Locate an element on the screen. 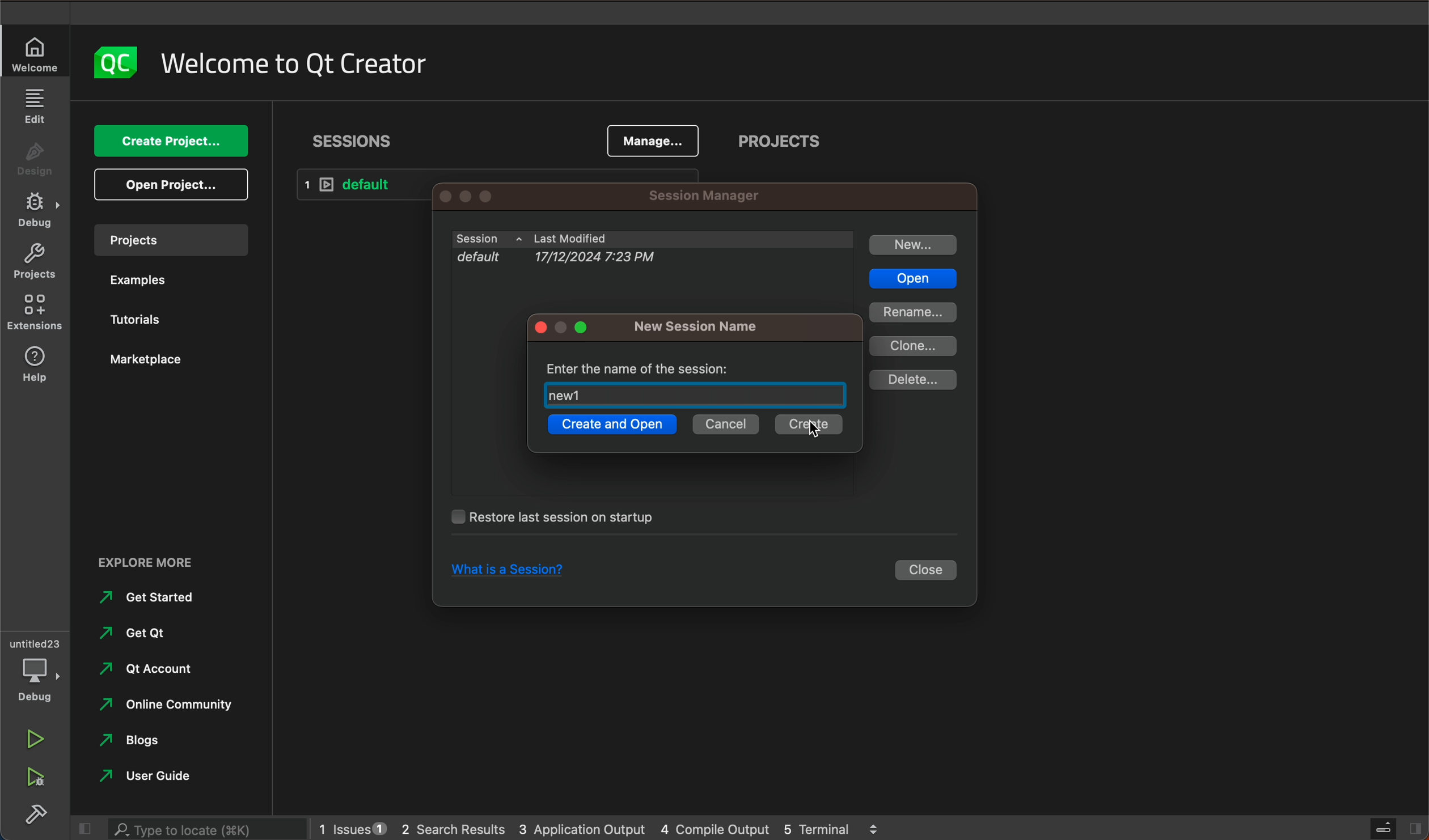  Project  is located at coordinates (34, 264).